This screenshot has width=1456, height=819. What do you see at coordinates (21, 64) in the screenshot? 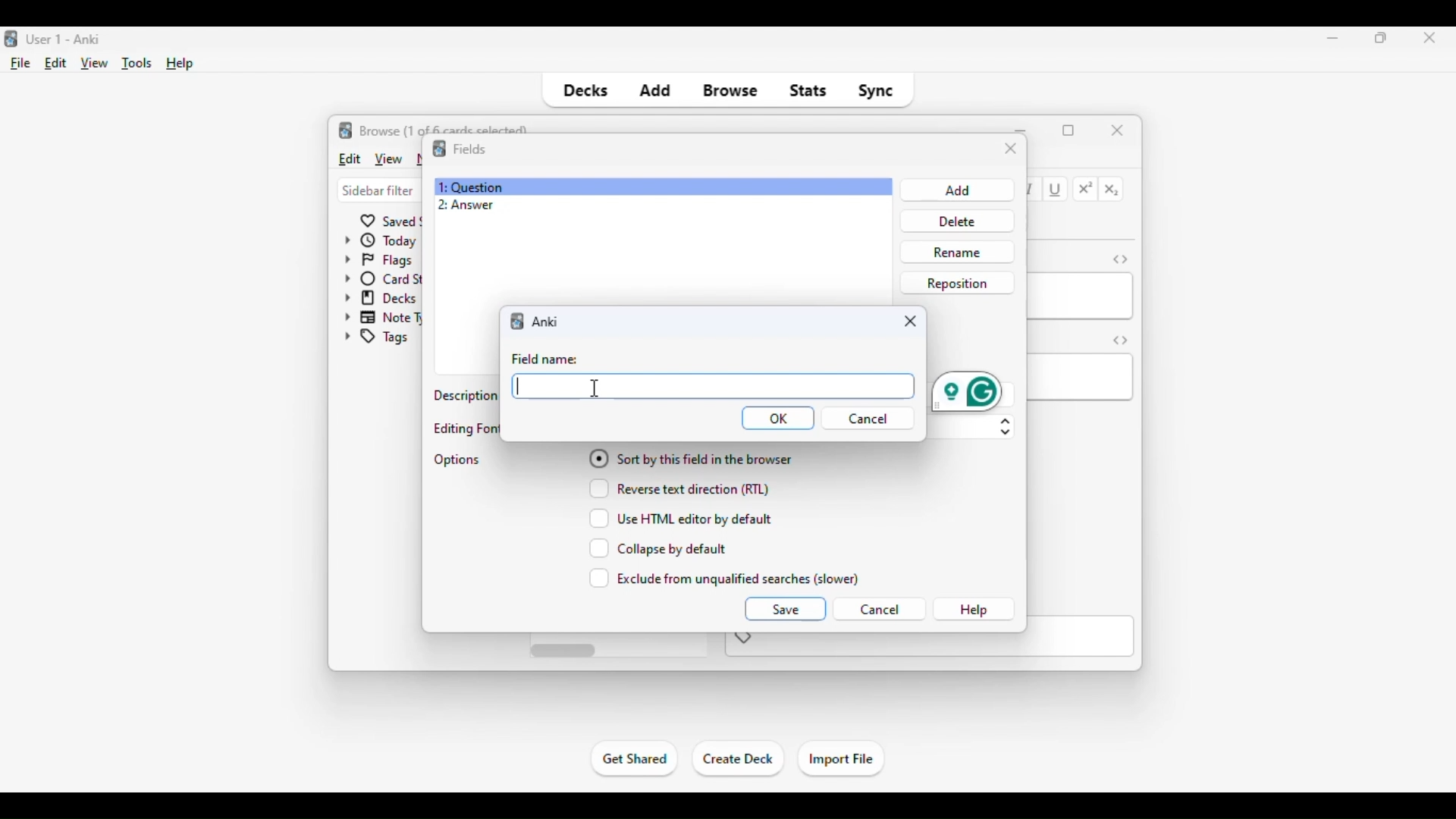
I see `file` at bounding box center [21, 64].